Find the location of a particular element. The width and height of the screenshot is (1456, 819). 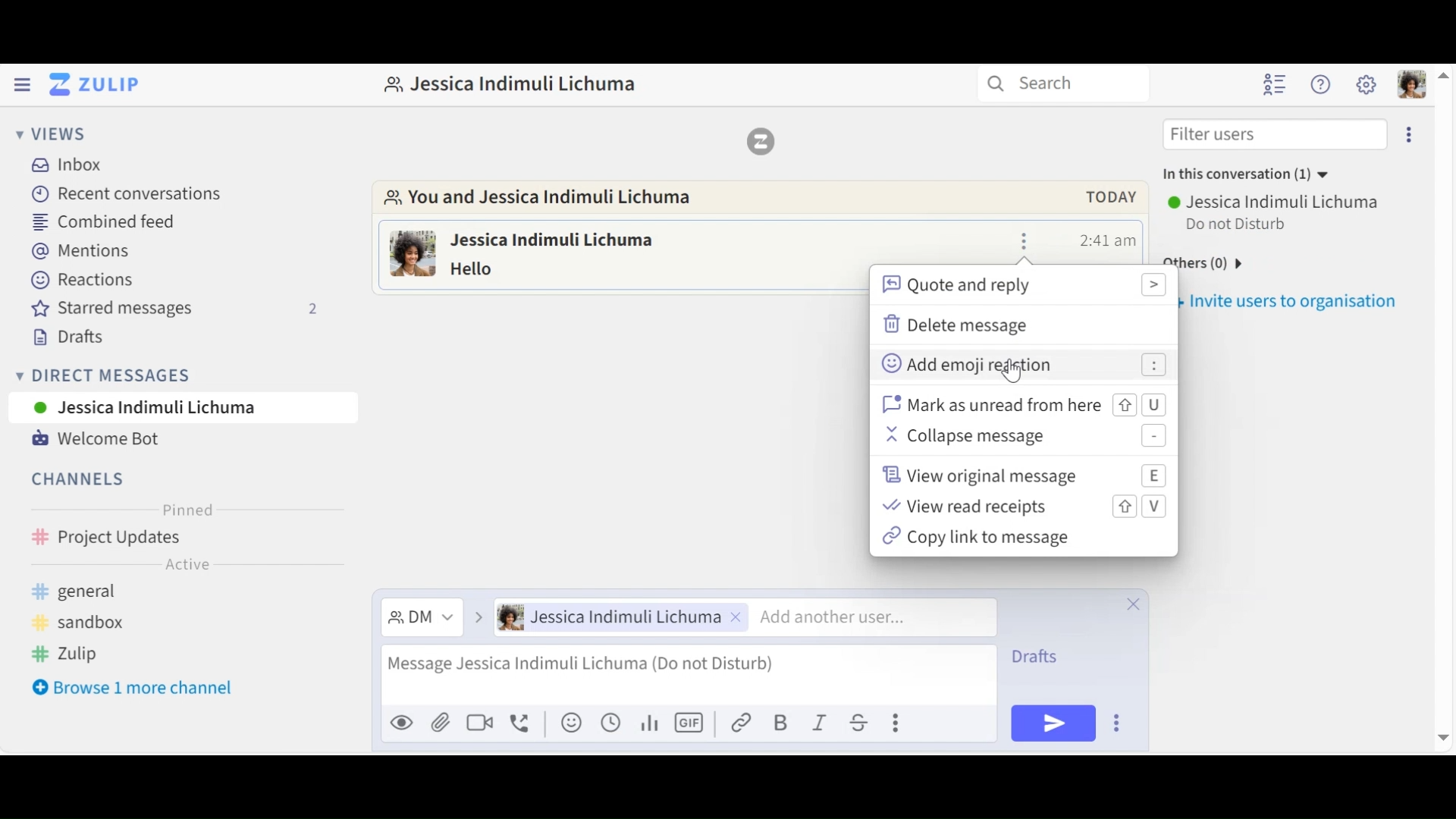

Invite users to organisation is located at coordinates (1412, 132).